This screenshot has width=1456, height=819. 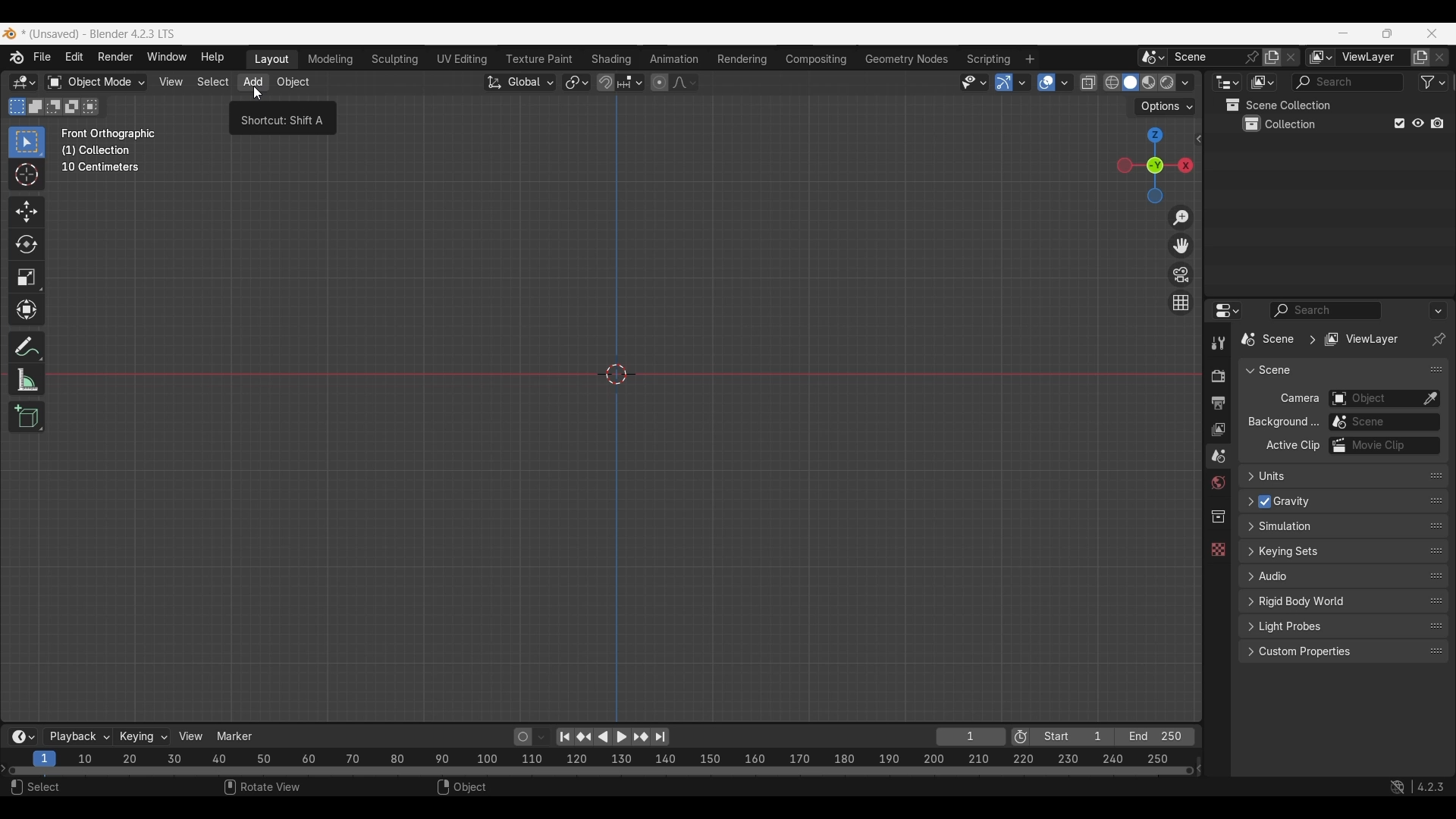 What do you see at coordinates (43, 58) in the screenshot?
I see `File menu` at bounding box center [43, 58].